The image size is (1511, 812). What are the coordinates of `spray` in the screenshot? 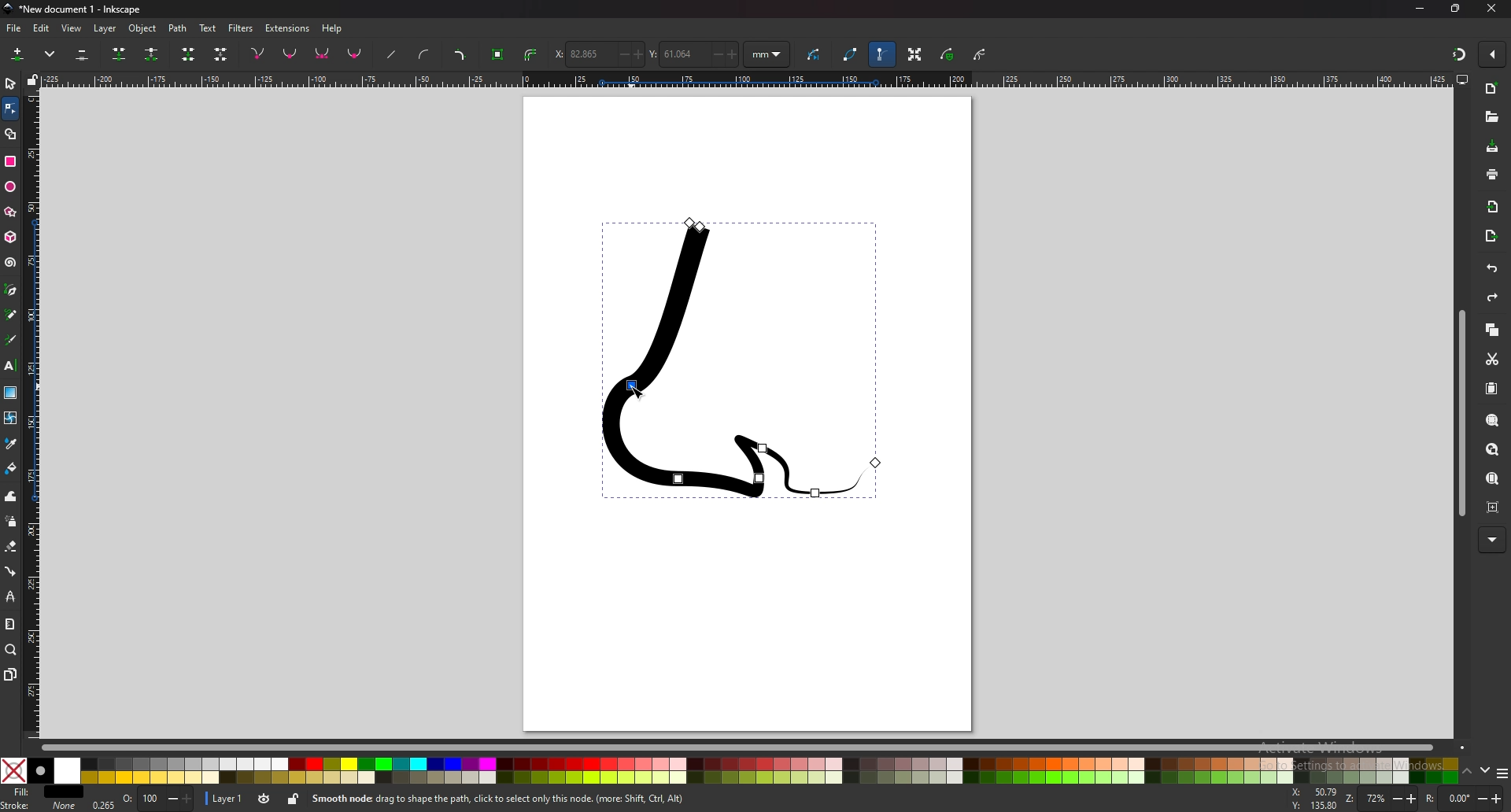 It's located at (12, 522).